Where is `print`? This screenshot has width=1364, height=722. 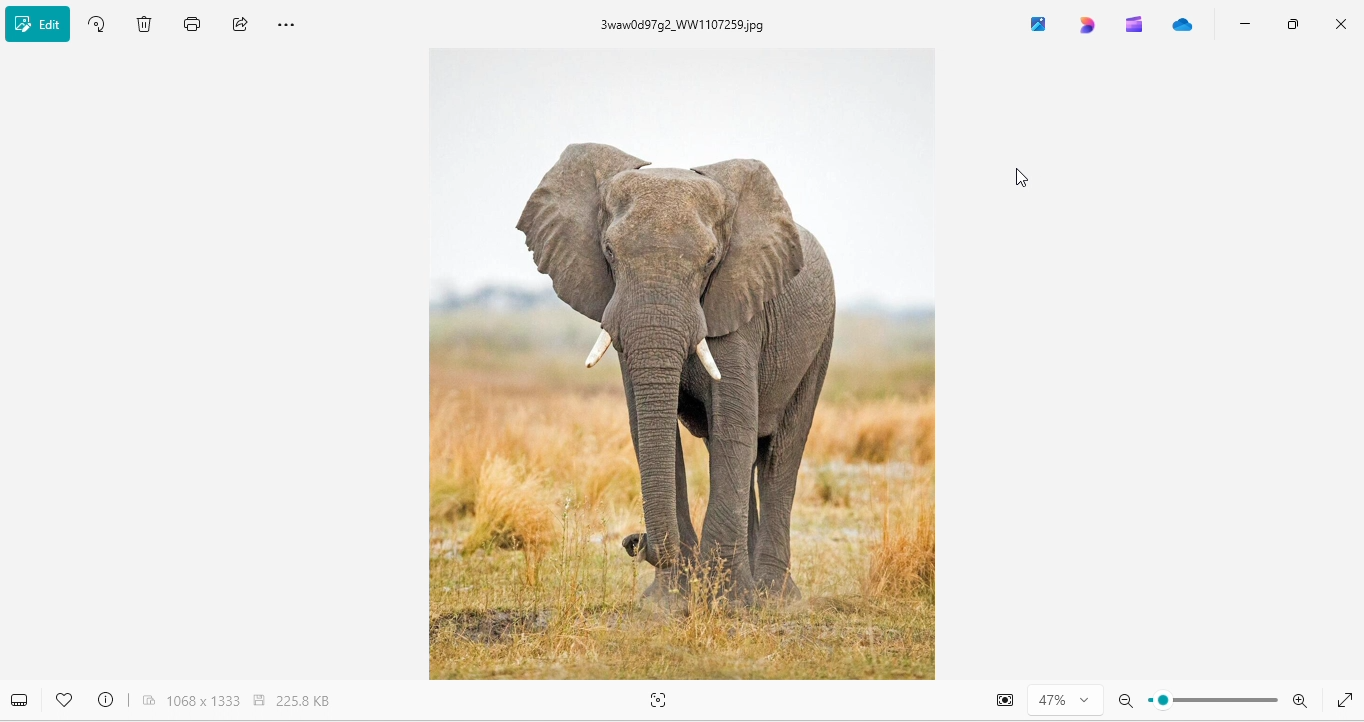 print is located at coordinates (195, 25).